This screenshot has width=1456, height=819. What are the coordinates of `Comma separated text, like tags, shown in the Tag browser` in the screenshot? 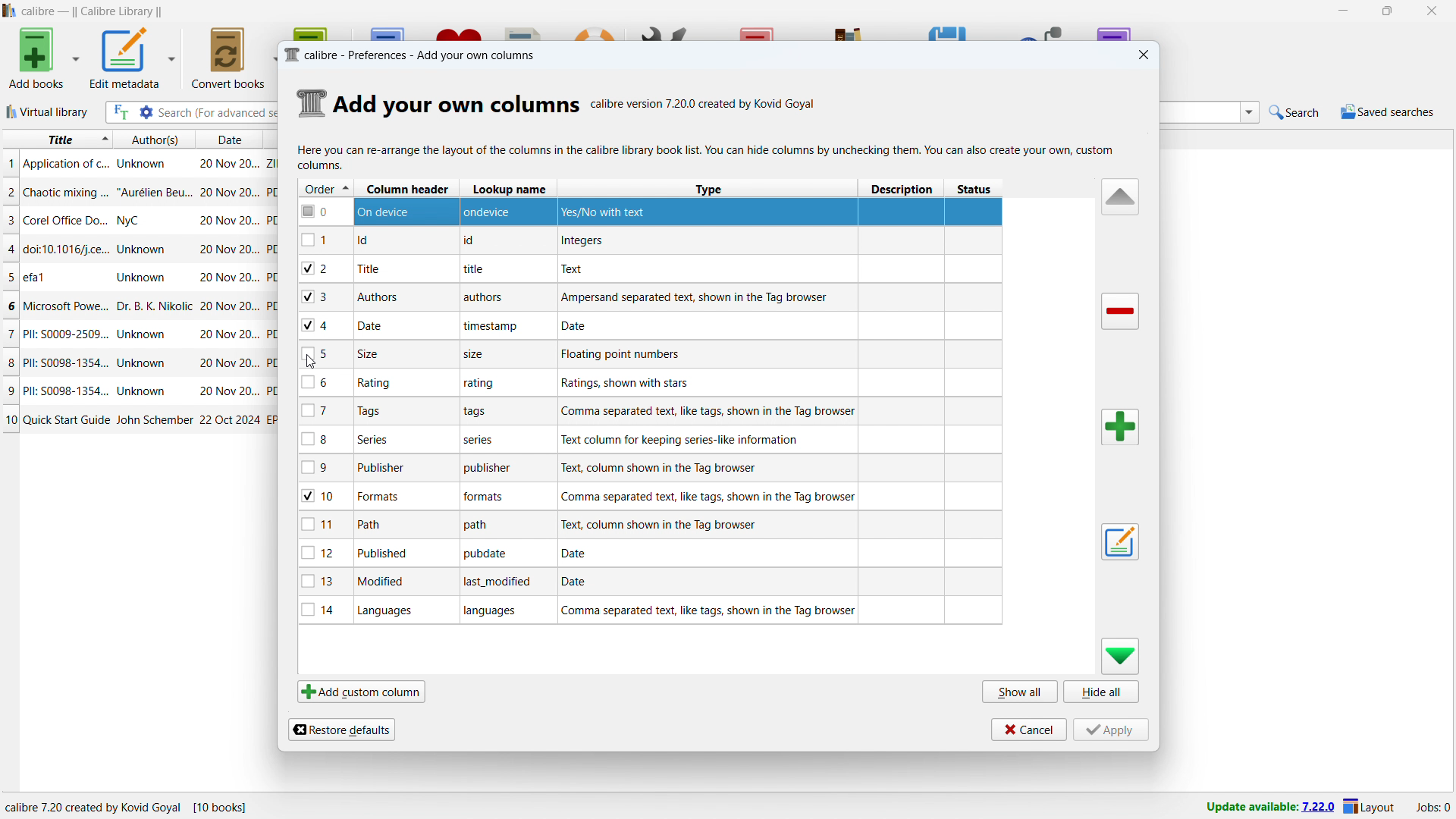 It's located at (708, 610).